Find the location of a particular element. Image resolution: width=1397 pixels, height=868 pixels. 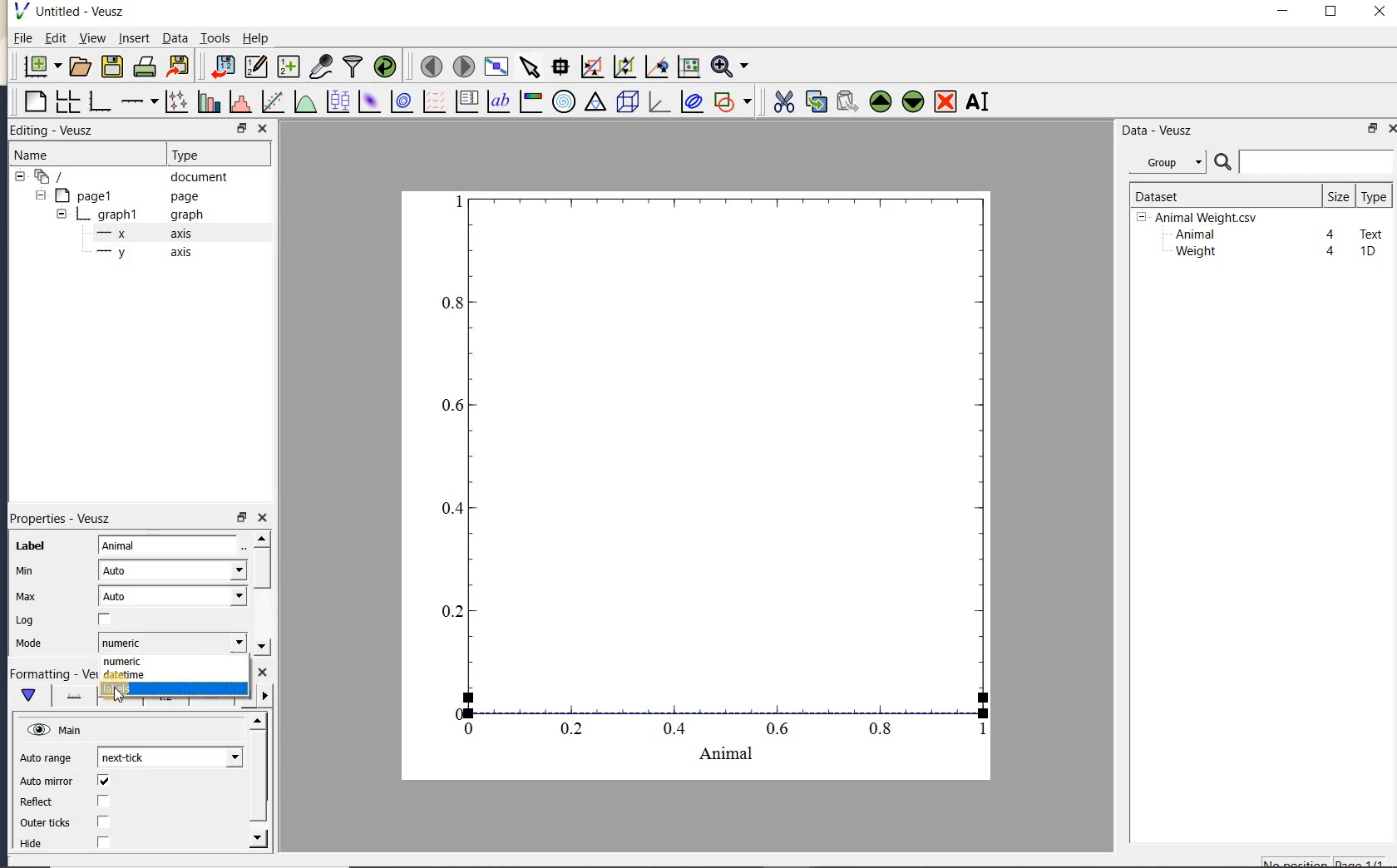

size is located at coordinates (1338, 195).